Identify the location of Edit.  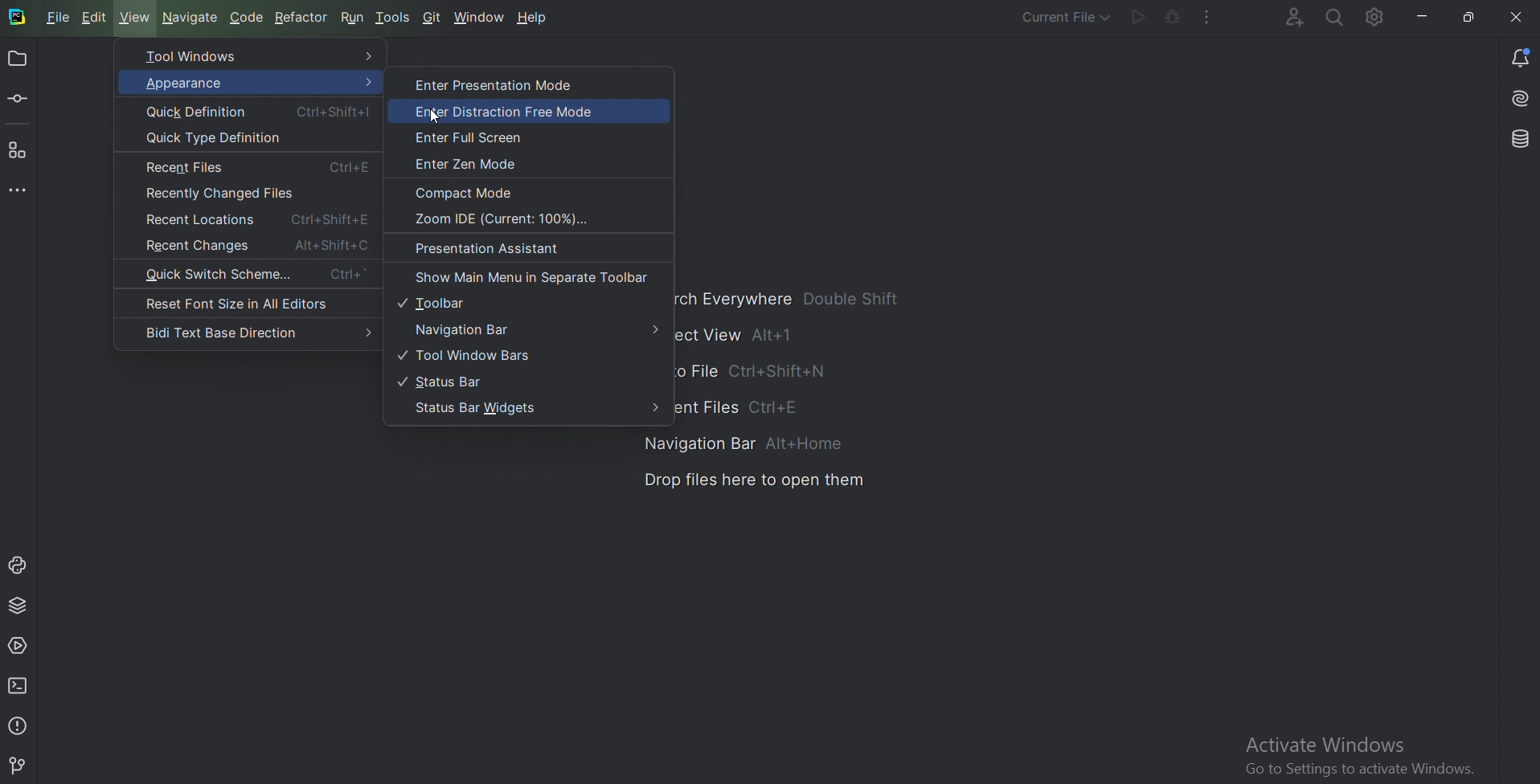
(96, 18).